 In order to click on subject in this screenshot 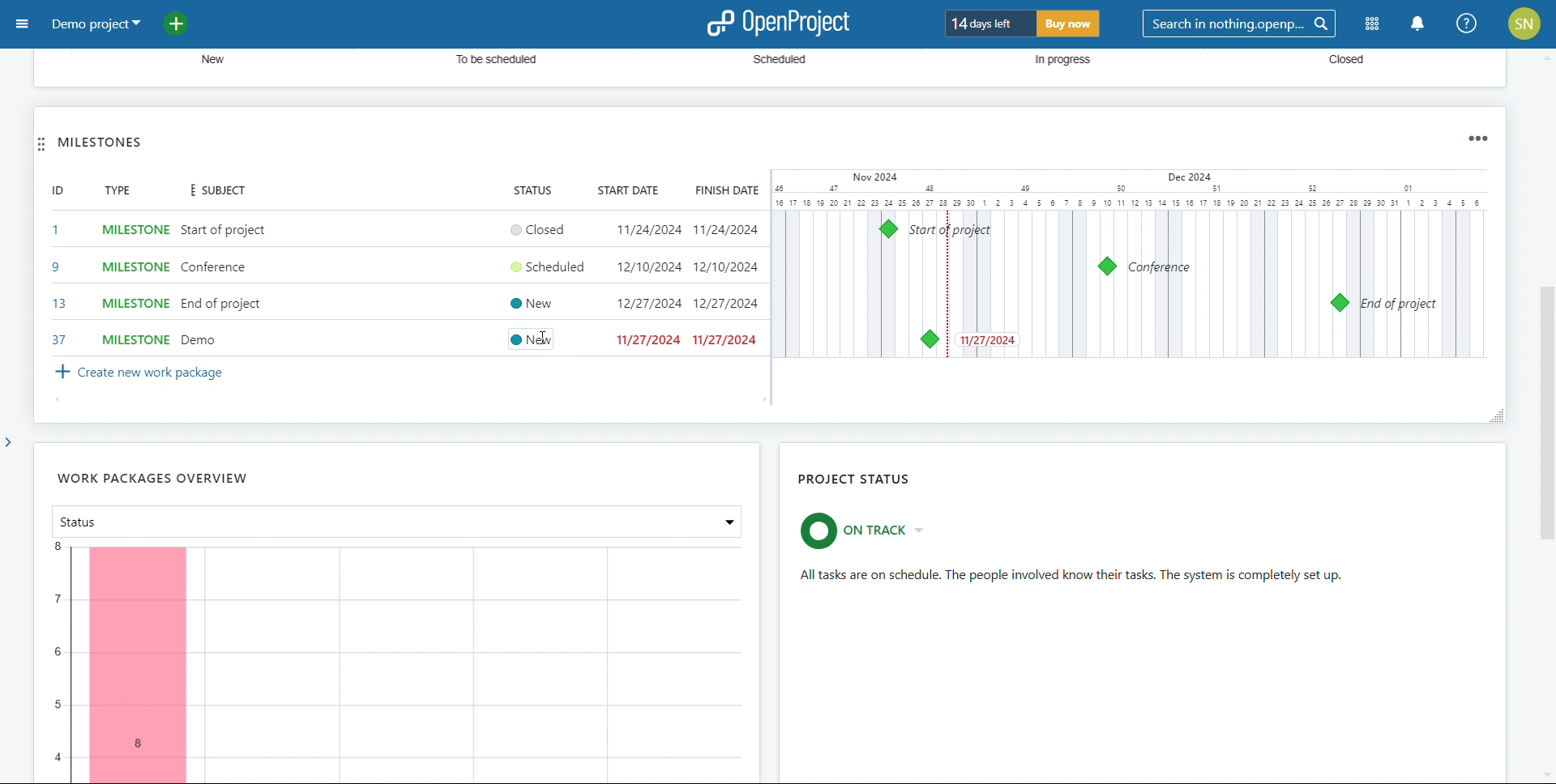, I will do `click(213, 190)`.